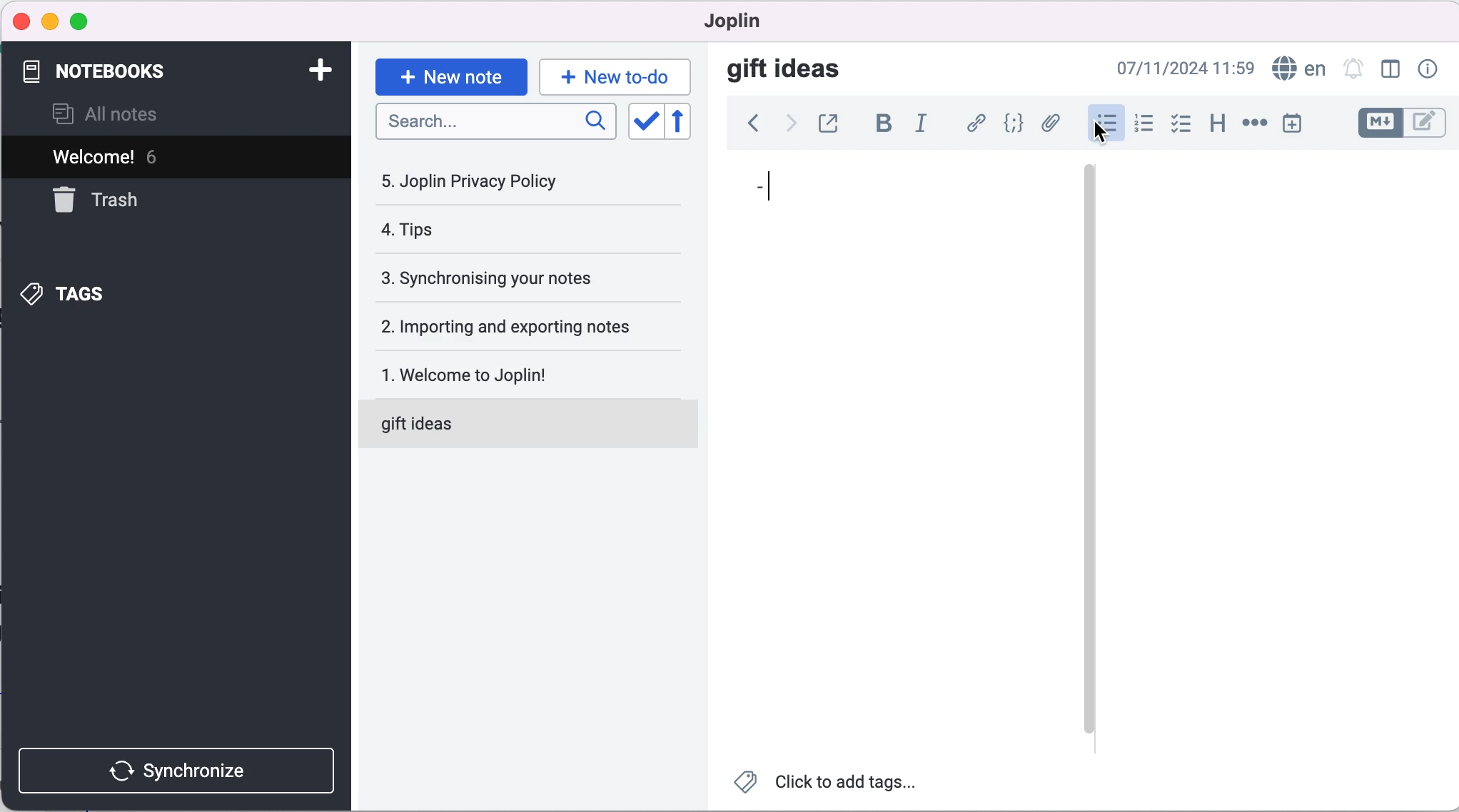  What do you see at coordinates (835, 783) in the screenshot?
I see `click to add tags` at bounding box center [835, 783].